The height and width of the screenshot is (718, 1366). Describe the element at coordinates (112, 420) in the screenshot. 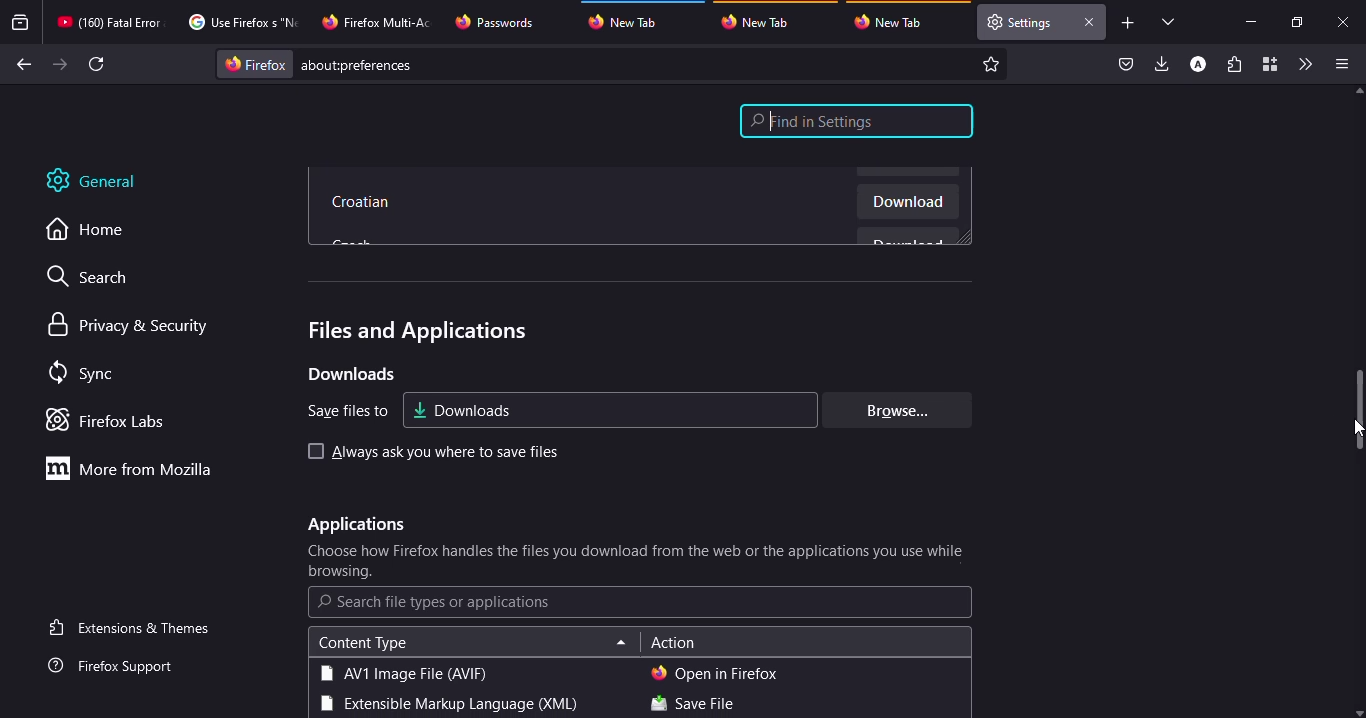

I see `firefox labs` at that location.